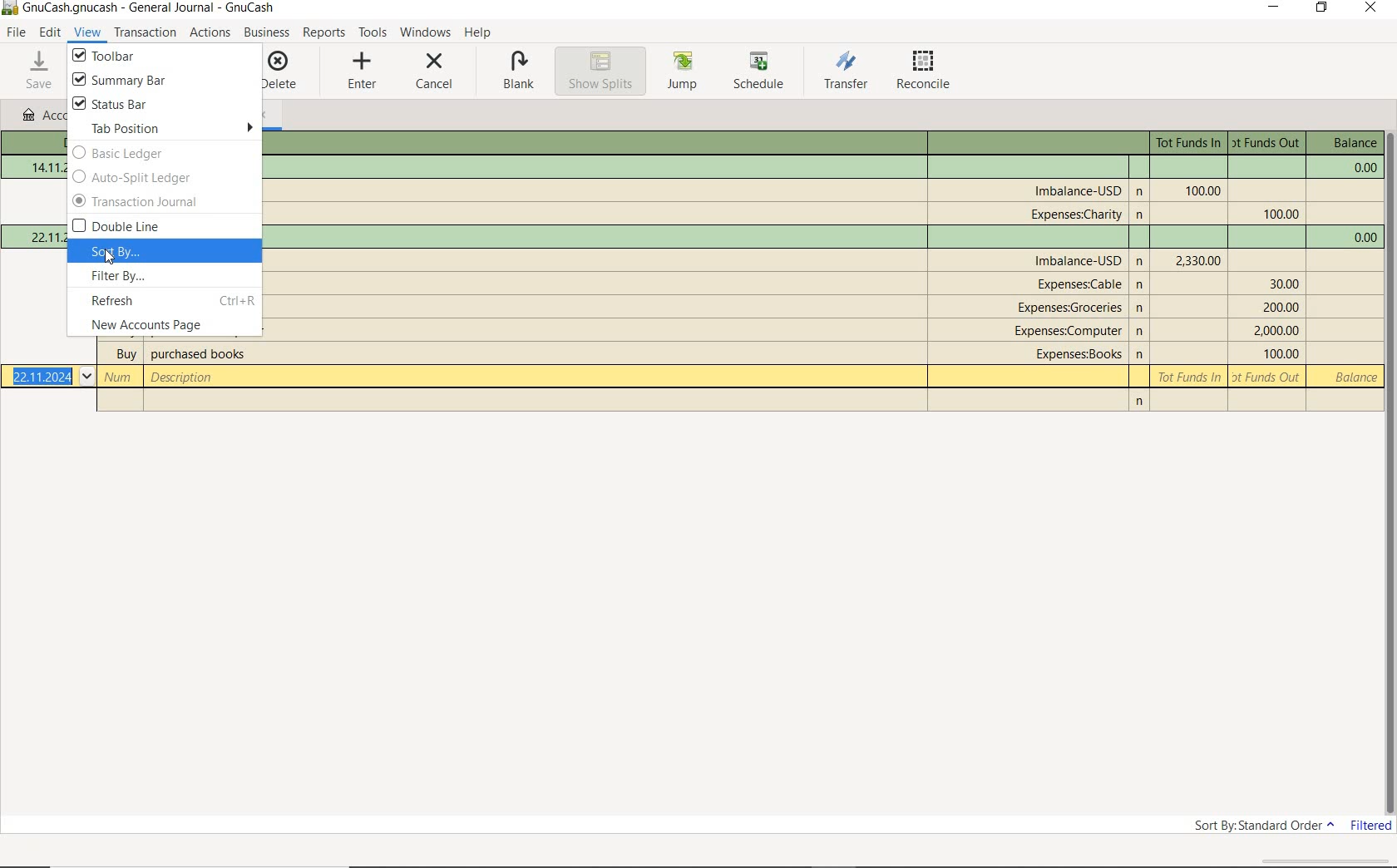 This screenshot has height=868, width=1397. I want to click on SCROLLBAR, so click(1389, 471).